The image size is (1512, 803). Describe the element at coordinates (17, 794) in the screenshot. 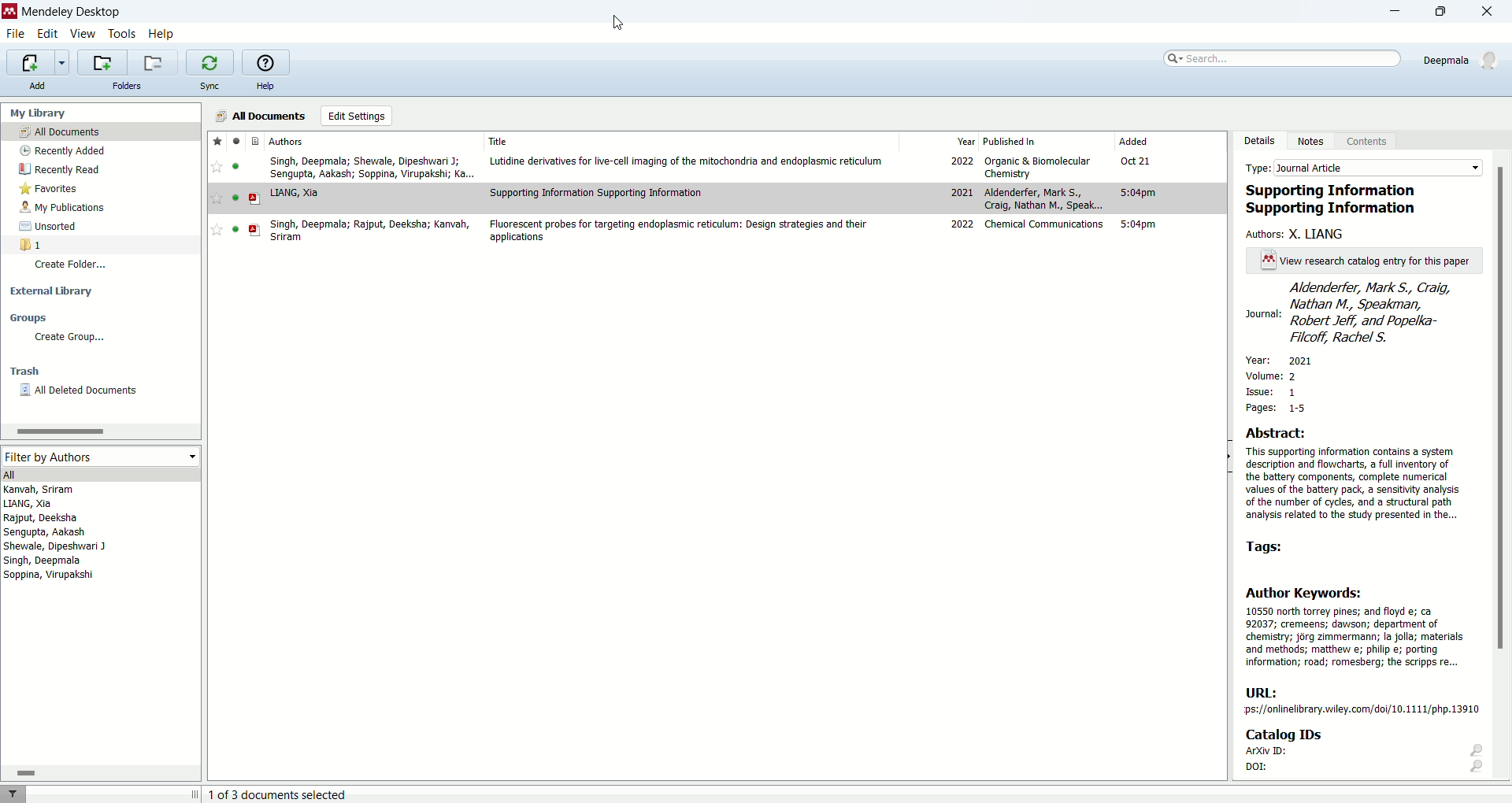

I see `filter` at that location.